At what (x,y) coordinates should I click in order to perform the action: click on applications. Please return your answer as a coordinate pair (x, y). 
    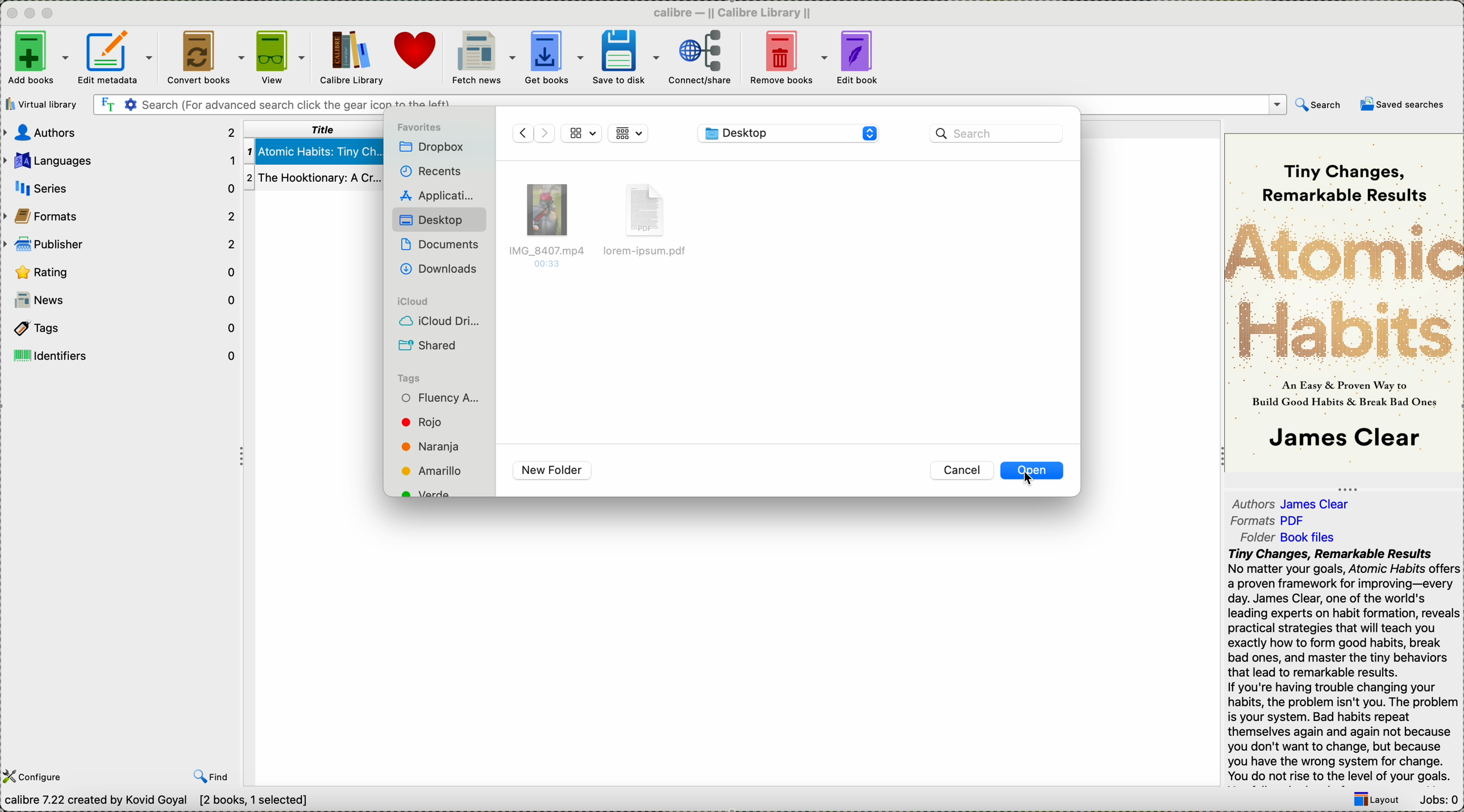
    Looking at the image, I should click on (439, 195).